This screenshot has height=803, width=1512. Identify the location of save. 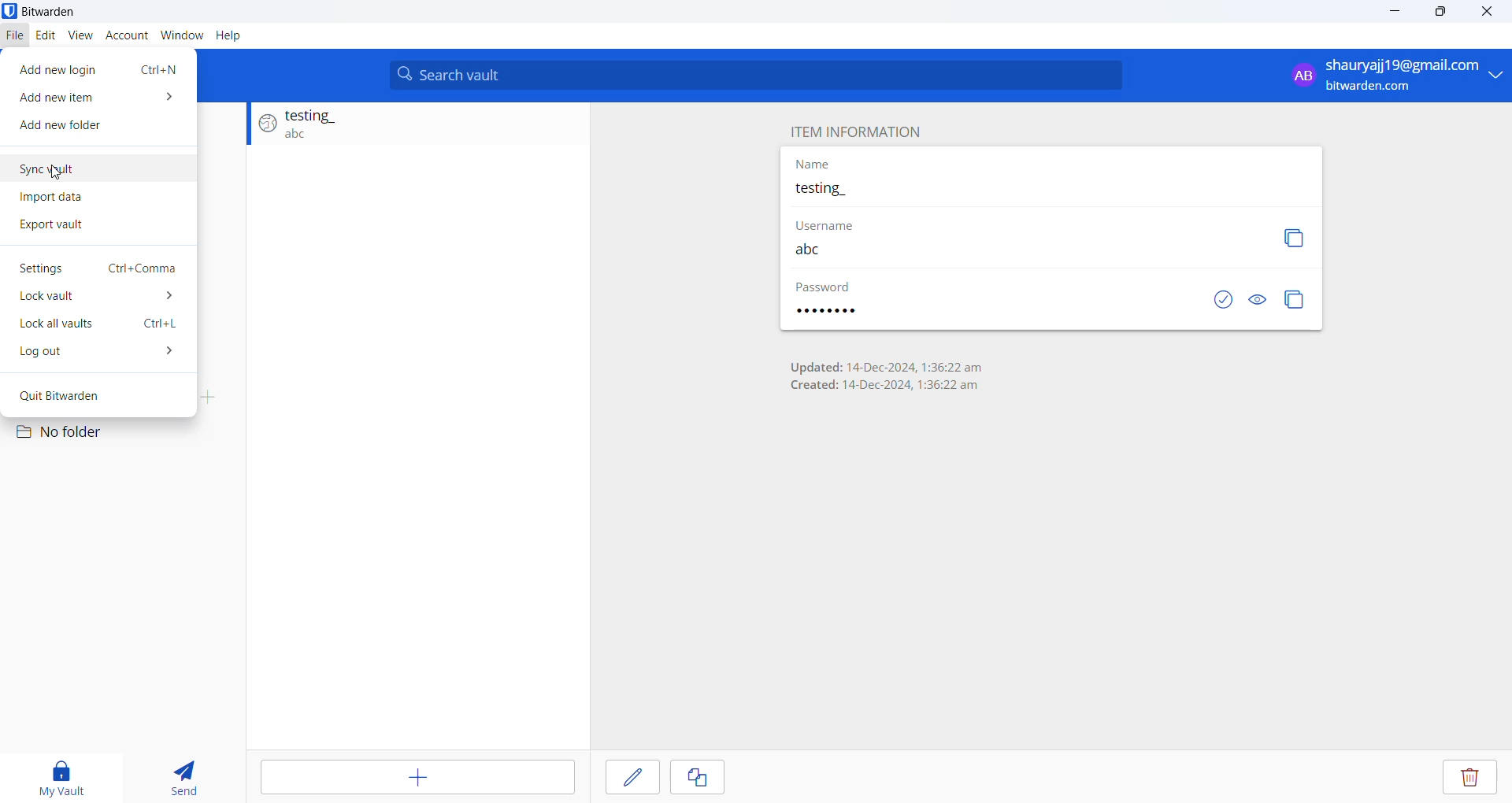
(632, 779).